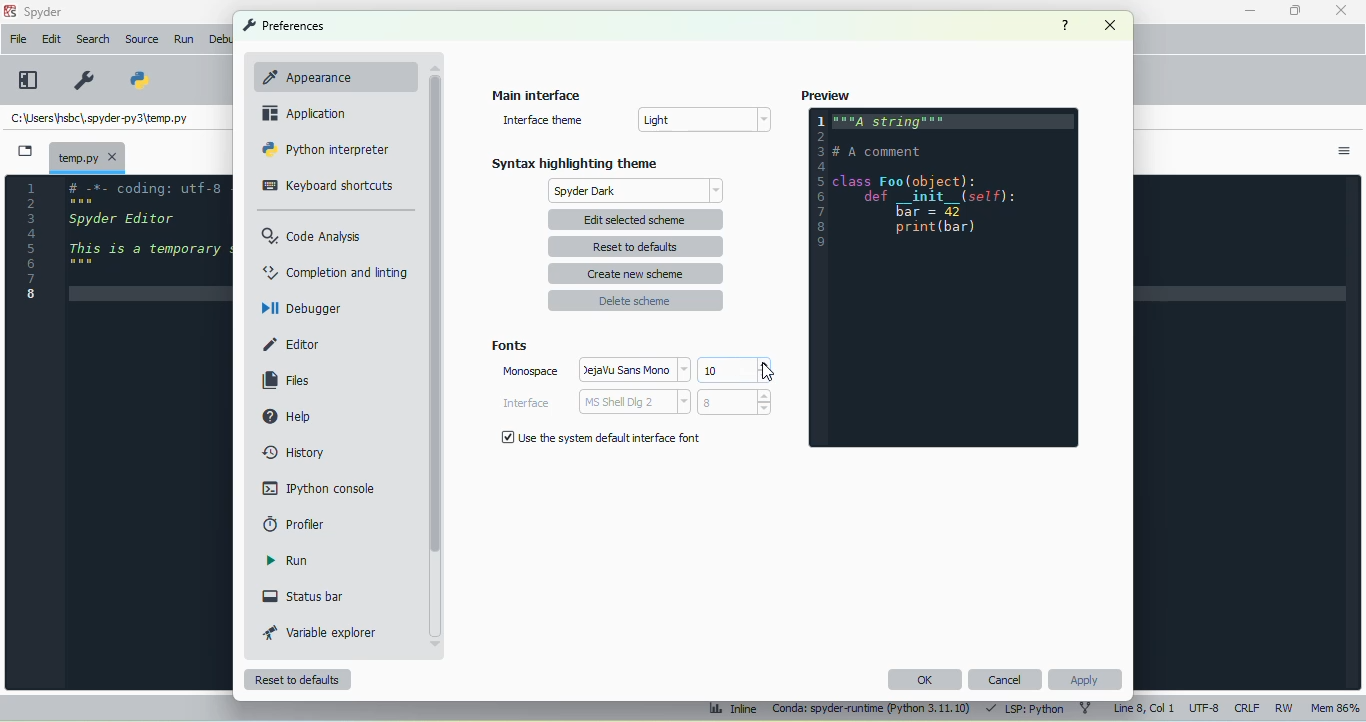  Describe the element at coordinates (283, 25) in the screenshot. I see `preferences` at that location.